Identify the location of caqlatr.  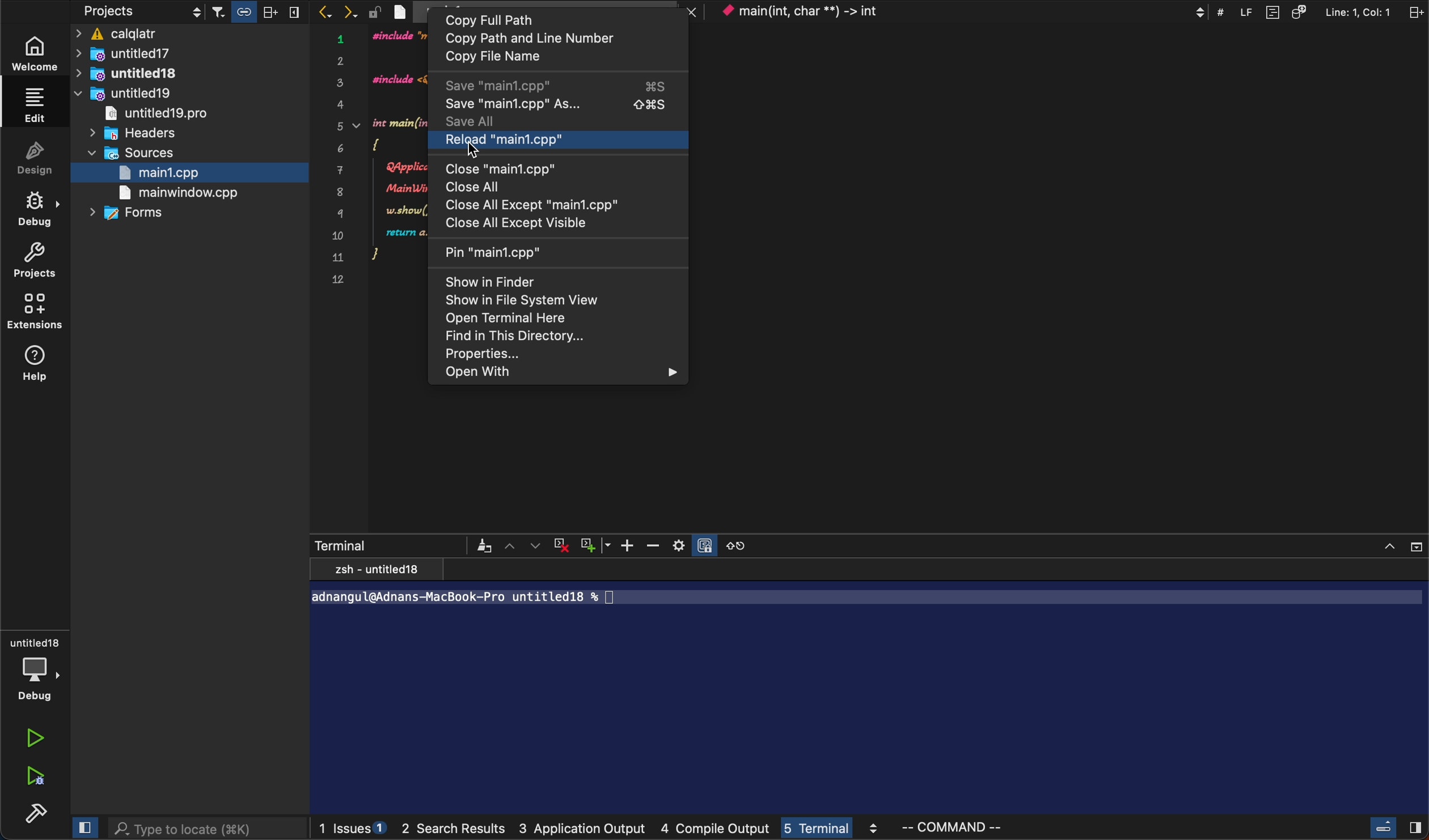
(189, 33).